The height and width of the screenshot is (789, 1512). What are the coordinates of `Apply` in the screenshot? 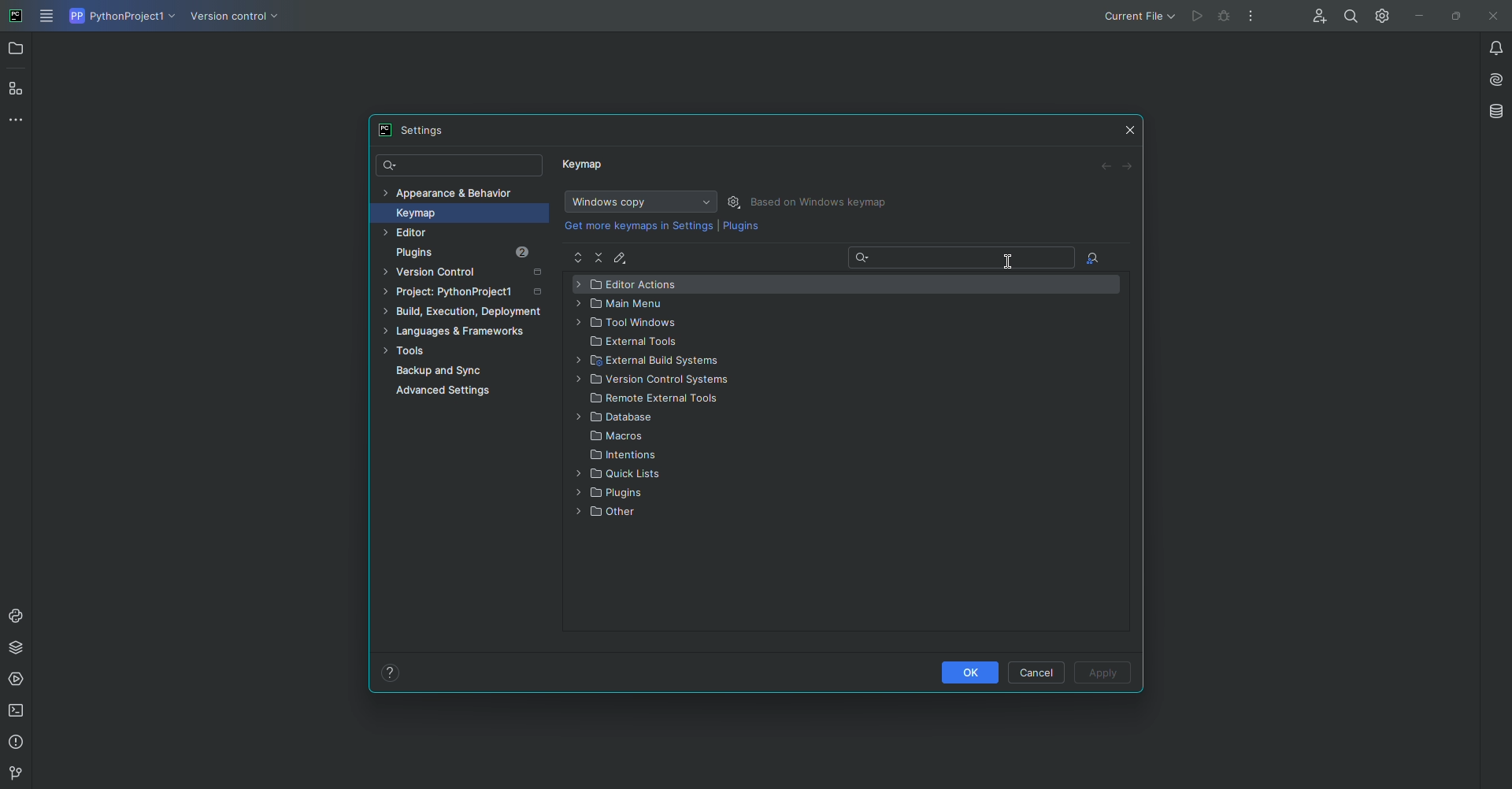 It's located at (1104, 674).